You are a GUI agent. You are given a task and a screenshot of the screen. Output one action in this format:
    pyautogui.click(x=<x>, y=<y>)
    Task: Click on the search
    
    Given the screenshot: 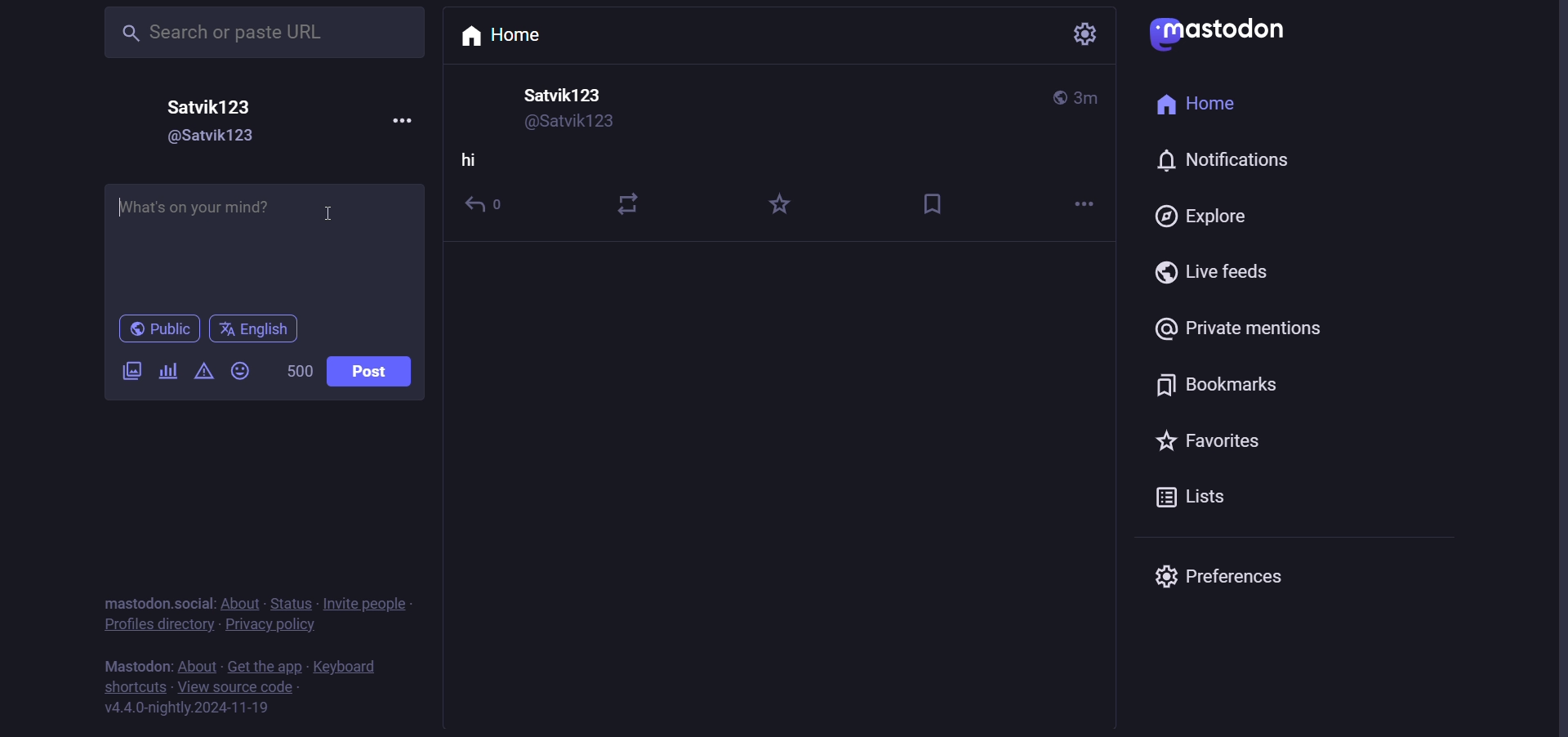 What is the action you would take?
    pyautogui.click(x=260, y=33)
    